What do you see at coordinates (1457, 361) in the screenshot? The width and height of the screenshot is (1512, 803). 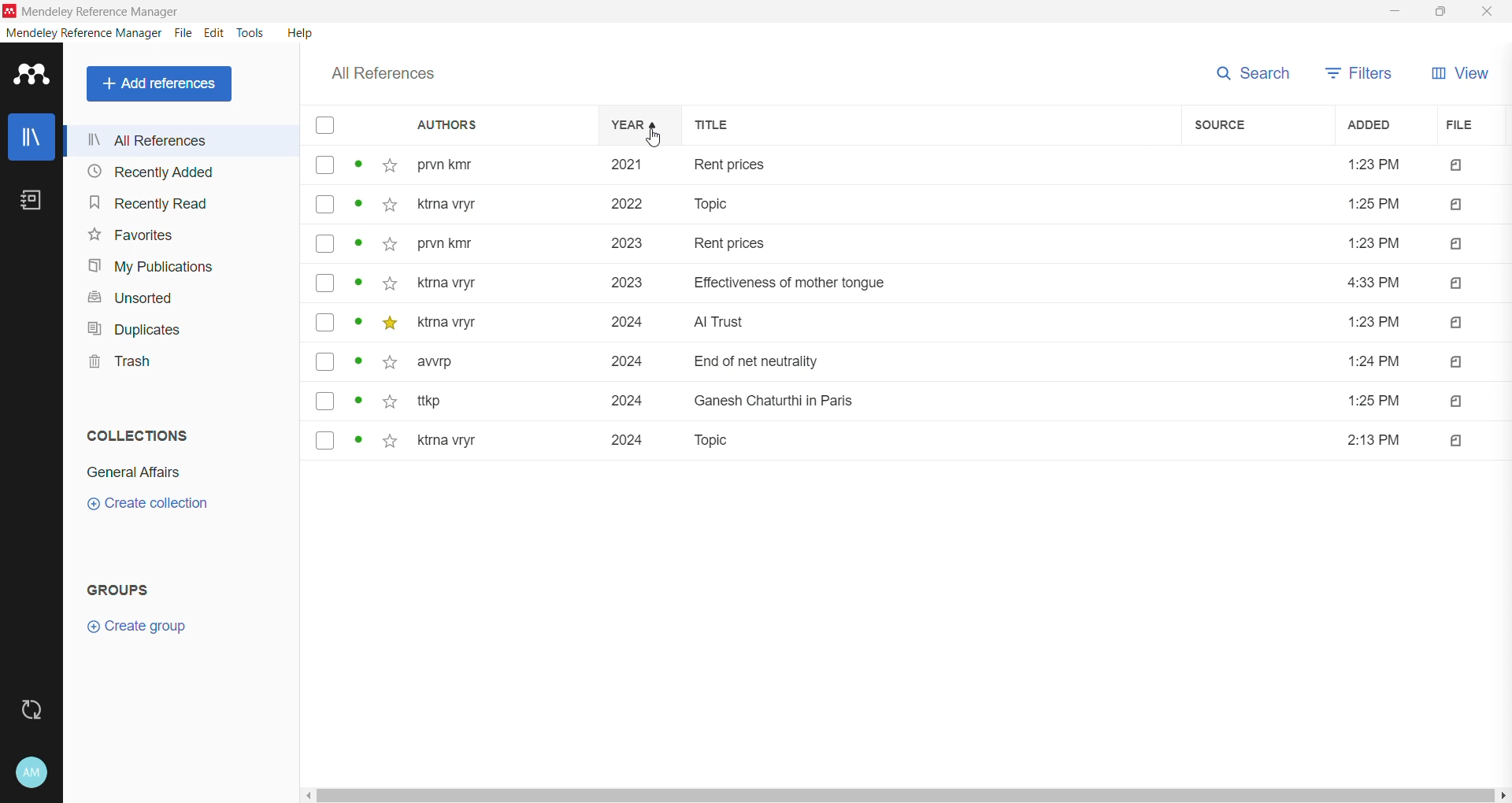 I see `file type` at bounding box center [1457, 361].